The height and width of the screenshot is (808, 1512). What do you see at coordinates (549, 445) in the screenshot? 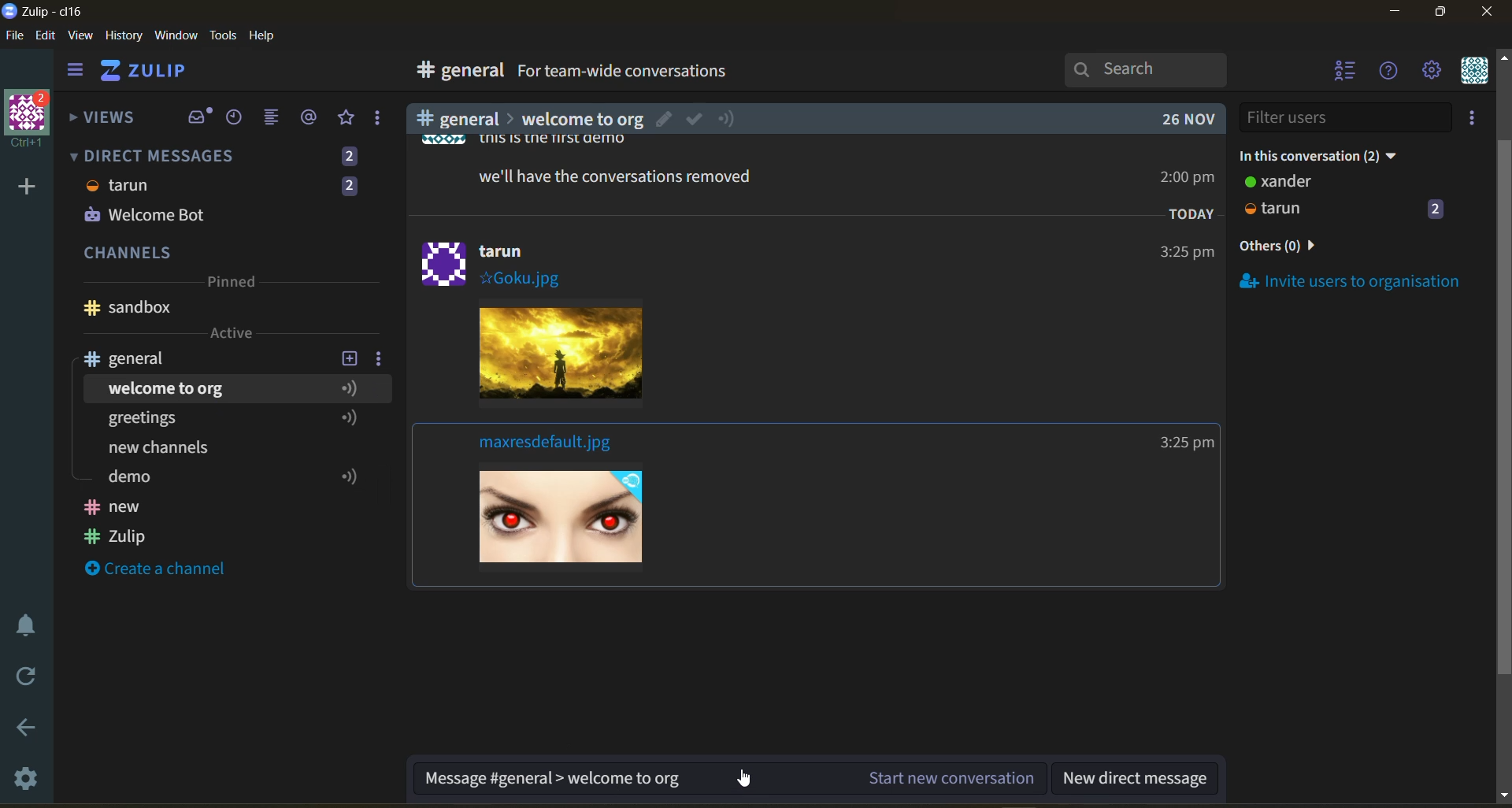
I see `` at bounding box center [549, 445].